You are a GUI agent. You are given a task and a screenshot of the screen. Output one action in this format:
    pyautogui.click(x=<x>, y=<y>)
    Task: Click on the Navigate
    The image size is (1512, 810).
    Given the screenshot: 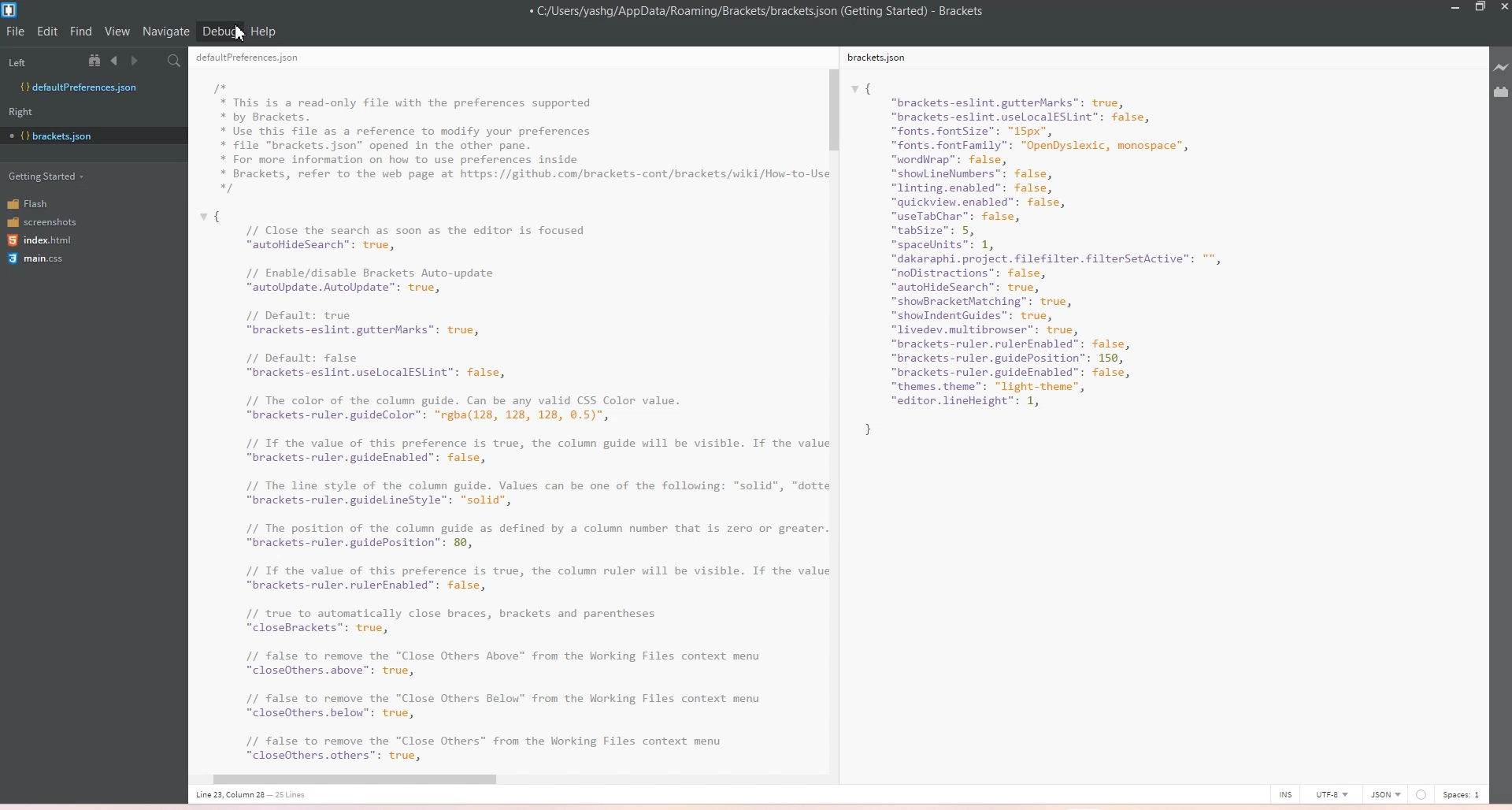 What is the action you would take?
    pyautogui.click(x=166, y=32)
    